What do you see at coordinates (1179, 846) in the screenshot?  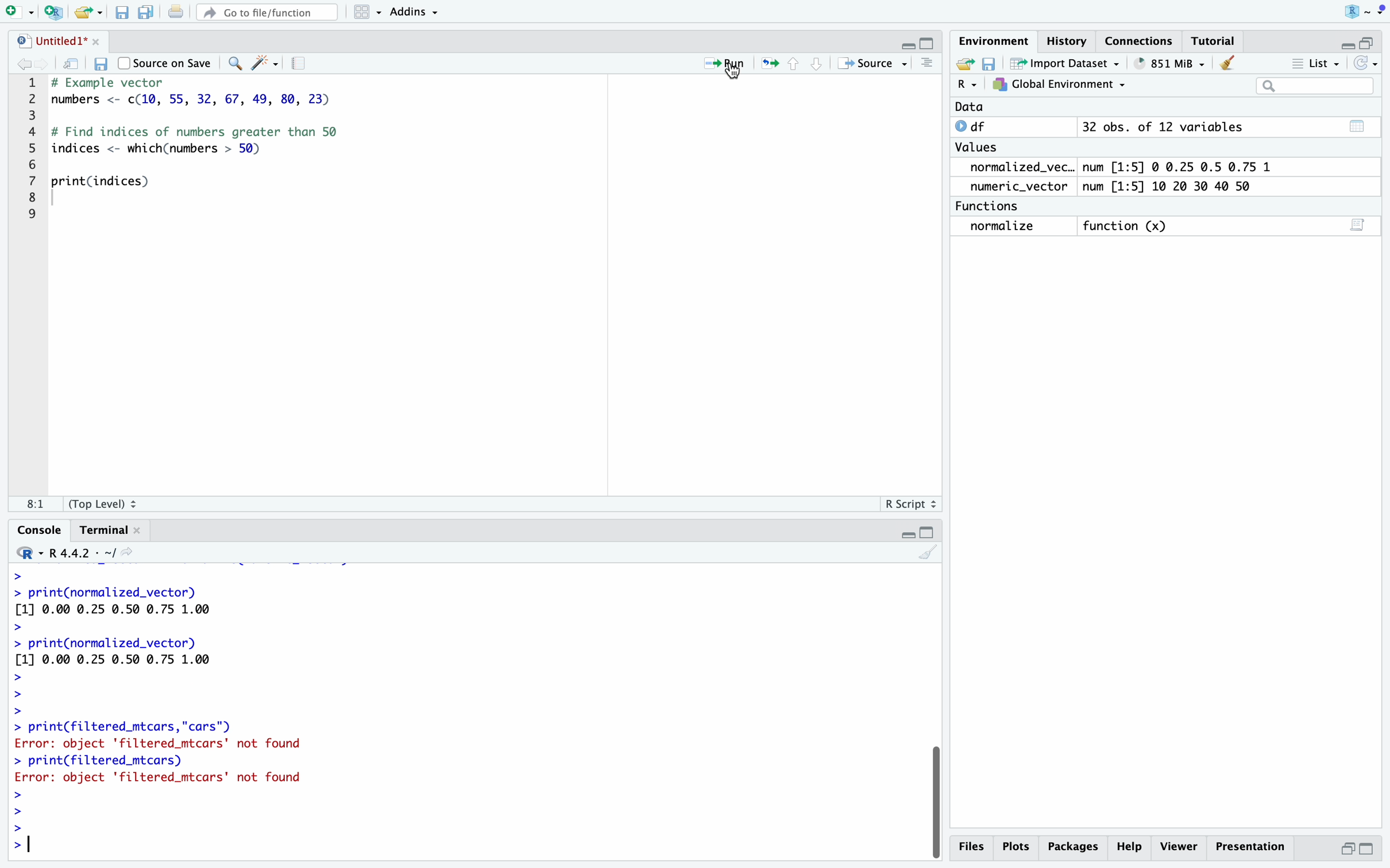 I see `viewer` at bounding box center [1179, 846].